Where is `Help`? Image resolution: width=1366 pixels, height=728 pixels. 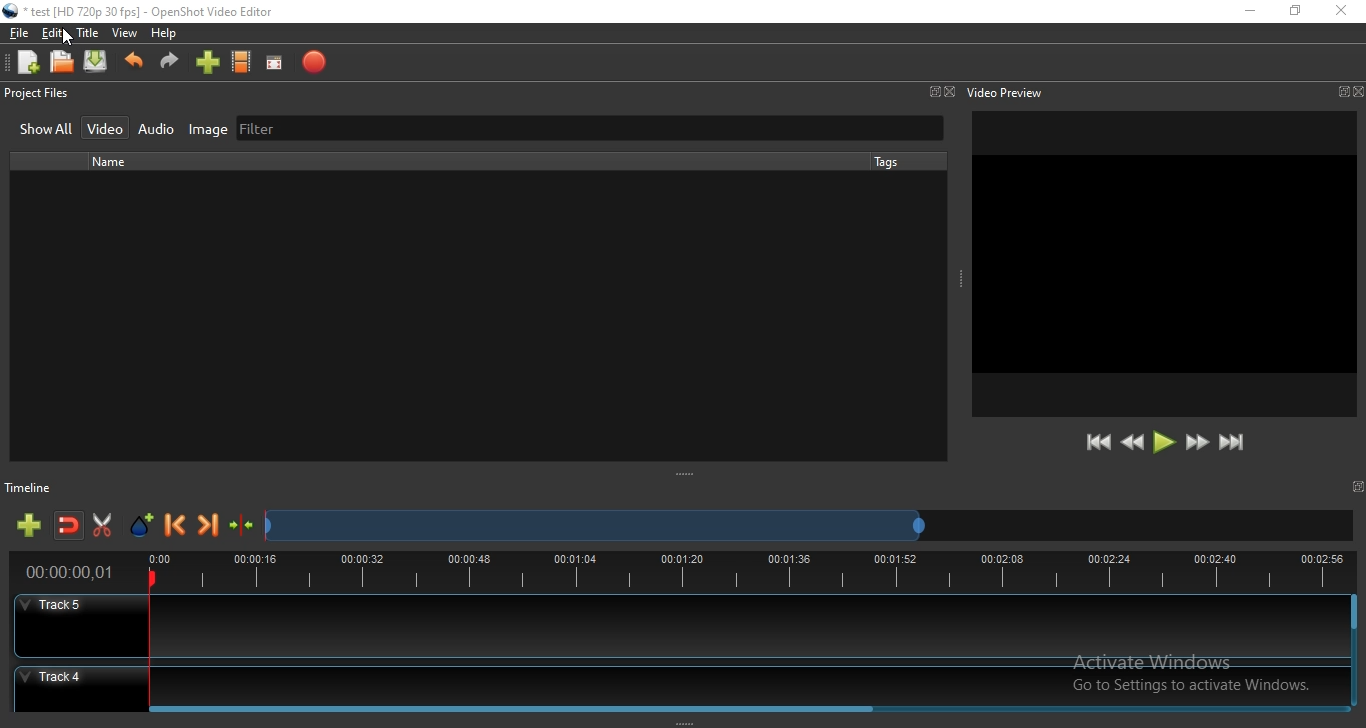
Help is located at coordinates (168, 35).